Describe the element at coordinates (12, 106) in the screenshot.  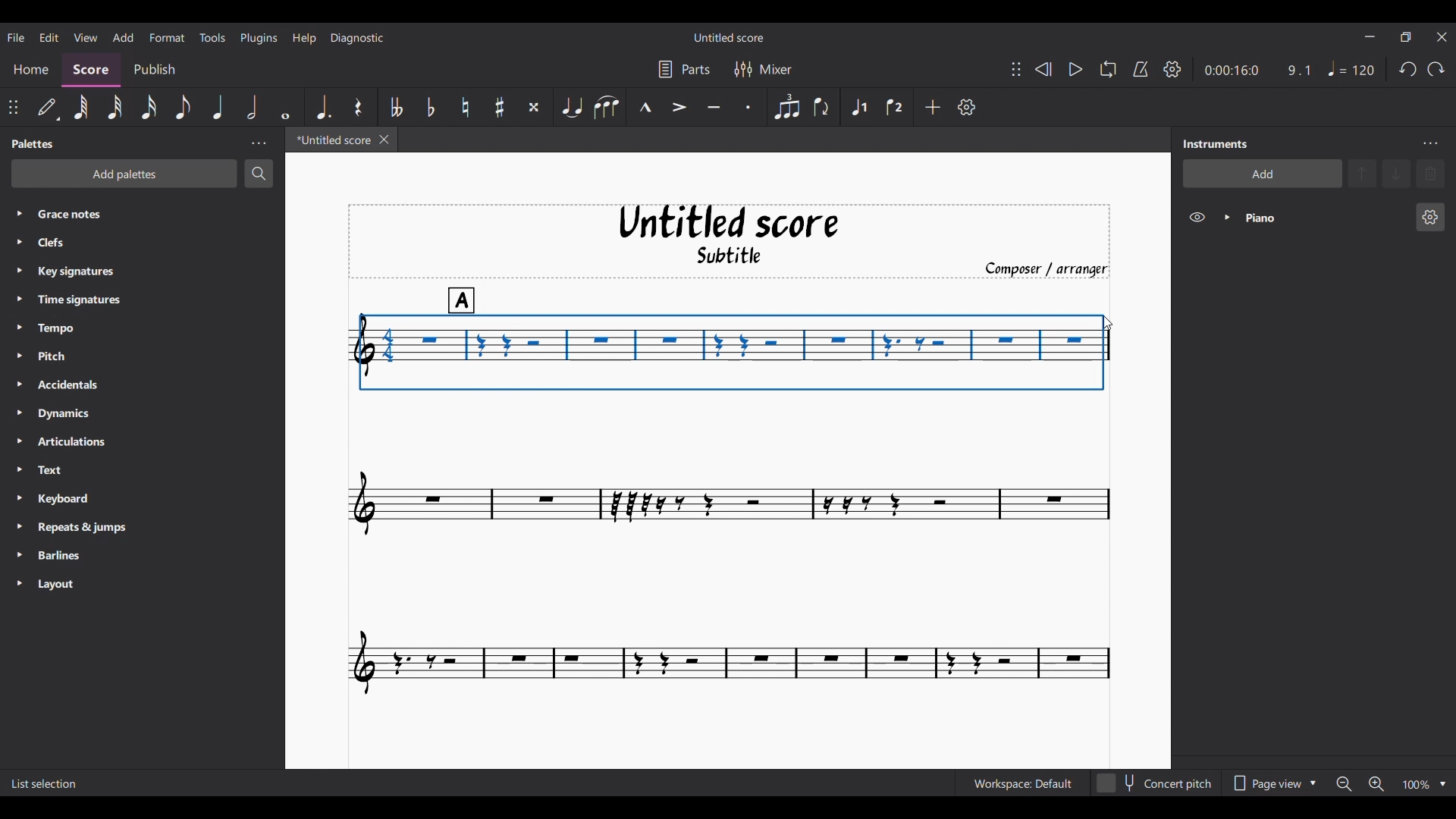
I see `Change position of toolbar attached` at that location.